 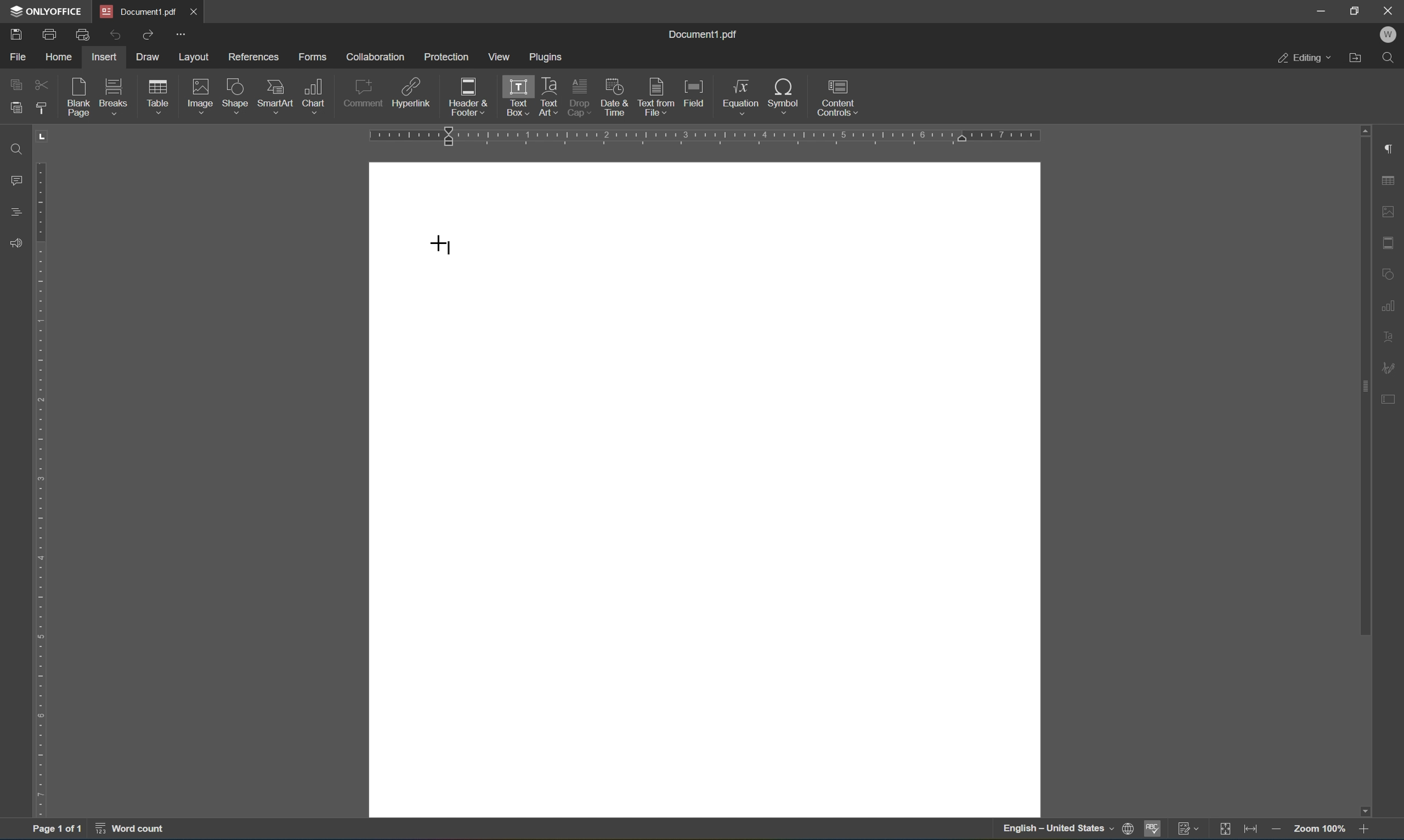 I want to click on copy, so click(x=16, y=84).